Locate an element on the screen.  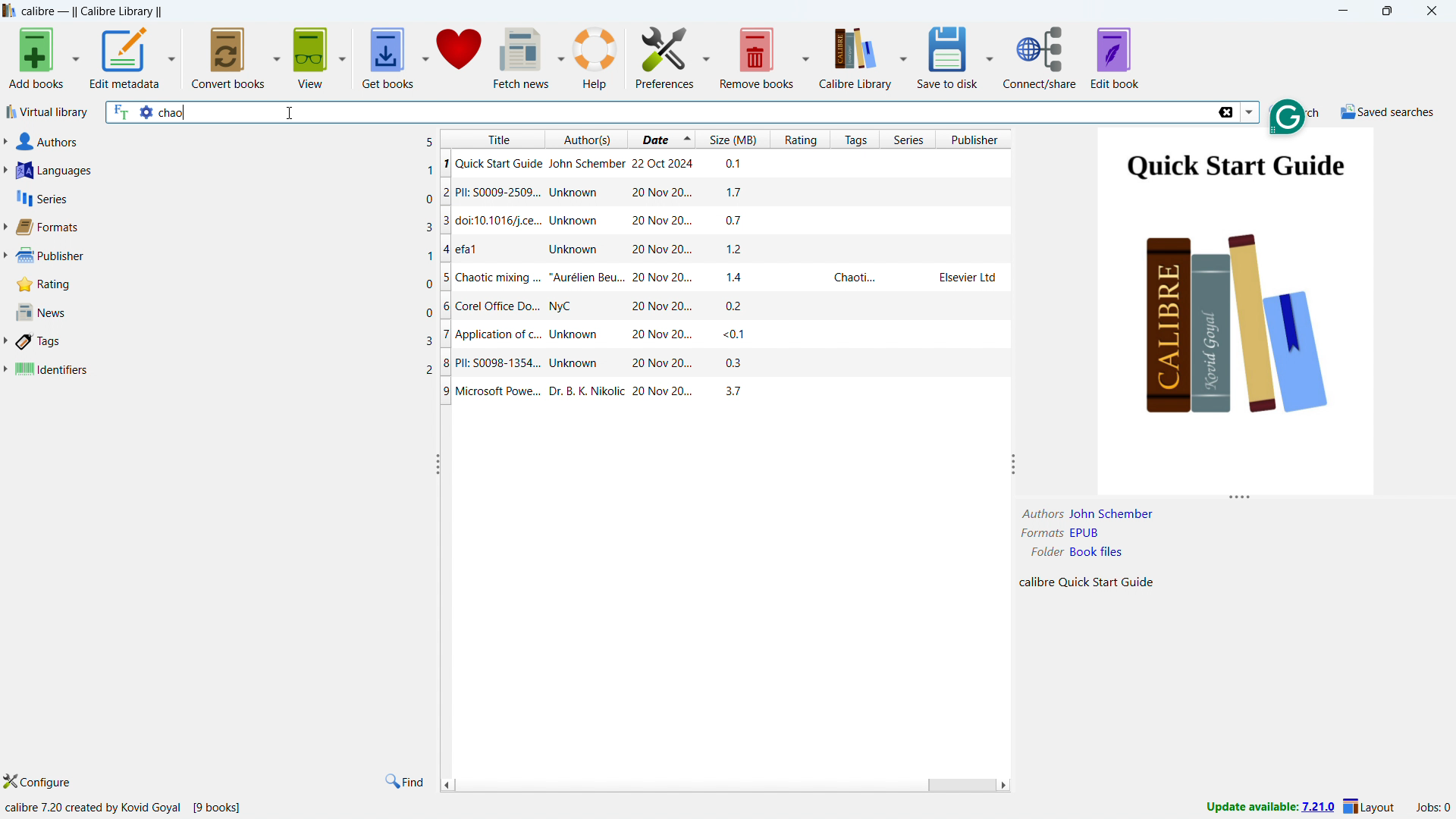
select sorting order is located at coordinates (687, 139).